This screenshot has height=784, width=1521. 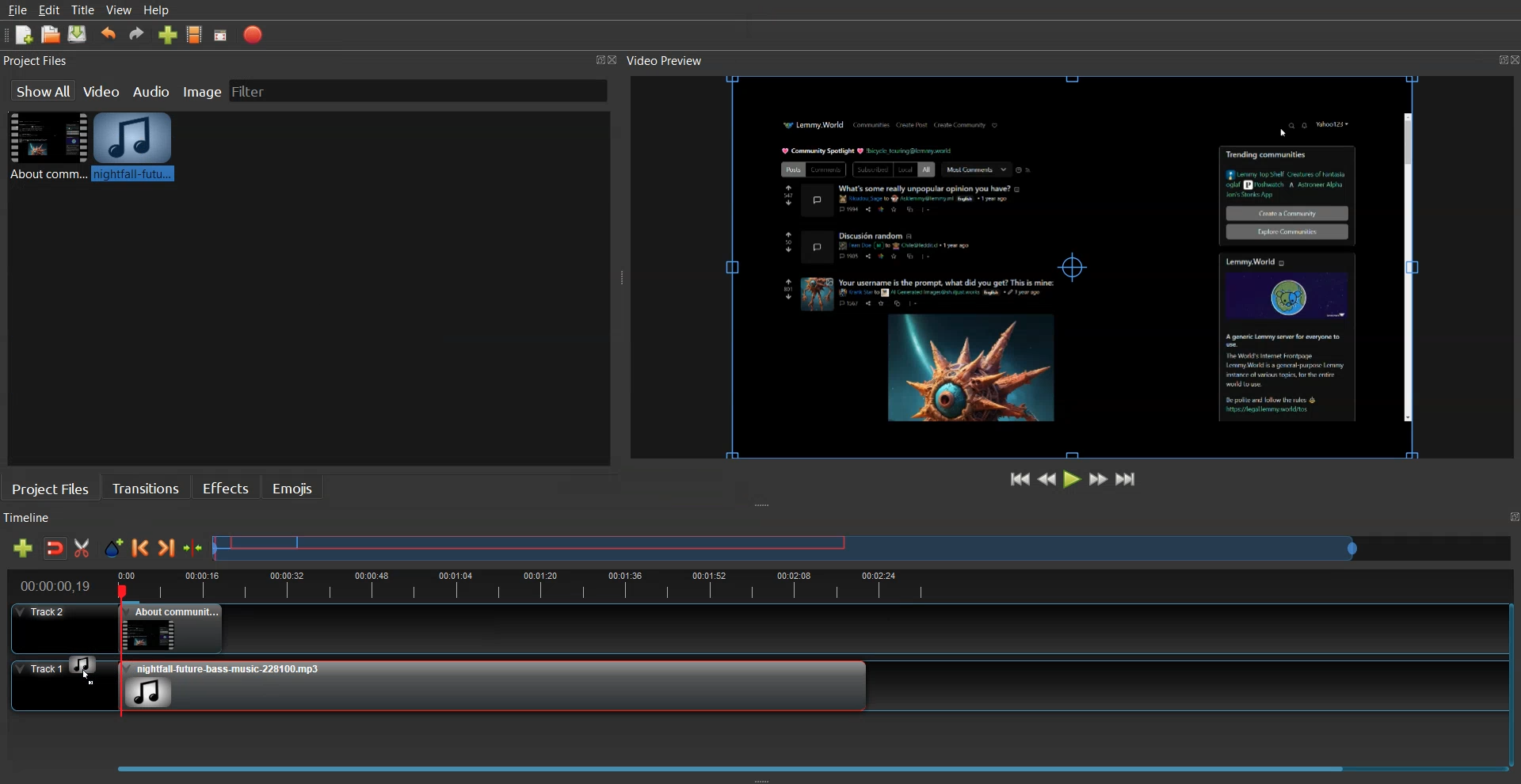 What do you see at coordinates (622, 281) in the screenshot?
I see `Window Adjuster` at bounding box center [622, 281].